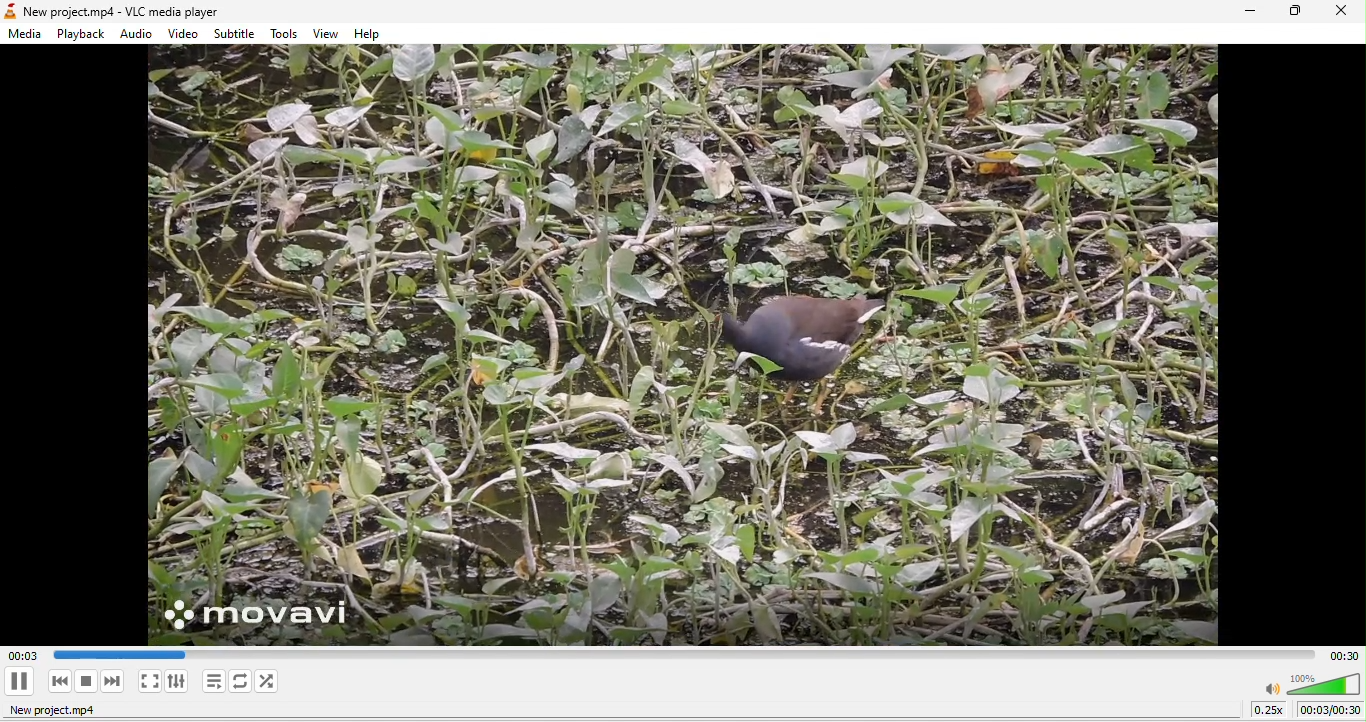 This screenshot has width=1366, height=722. What do you see at coordinates (1312, 682) in the screenshot?
I see `volume` at bounding box center [1312, 682].